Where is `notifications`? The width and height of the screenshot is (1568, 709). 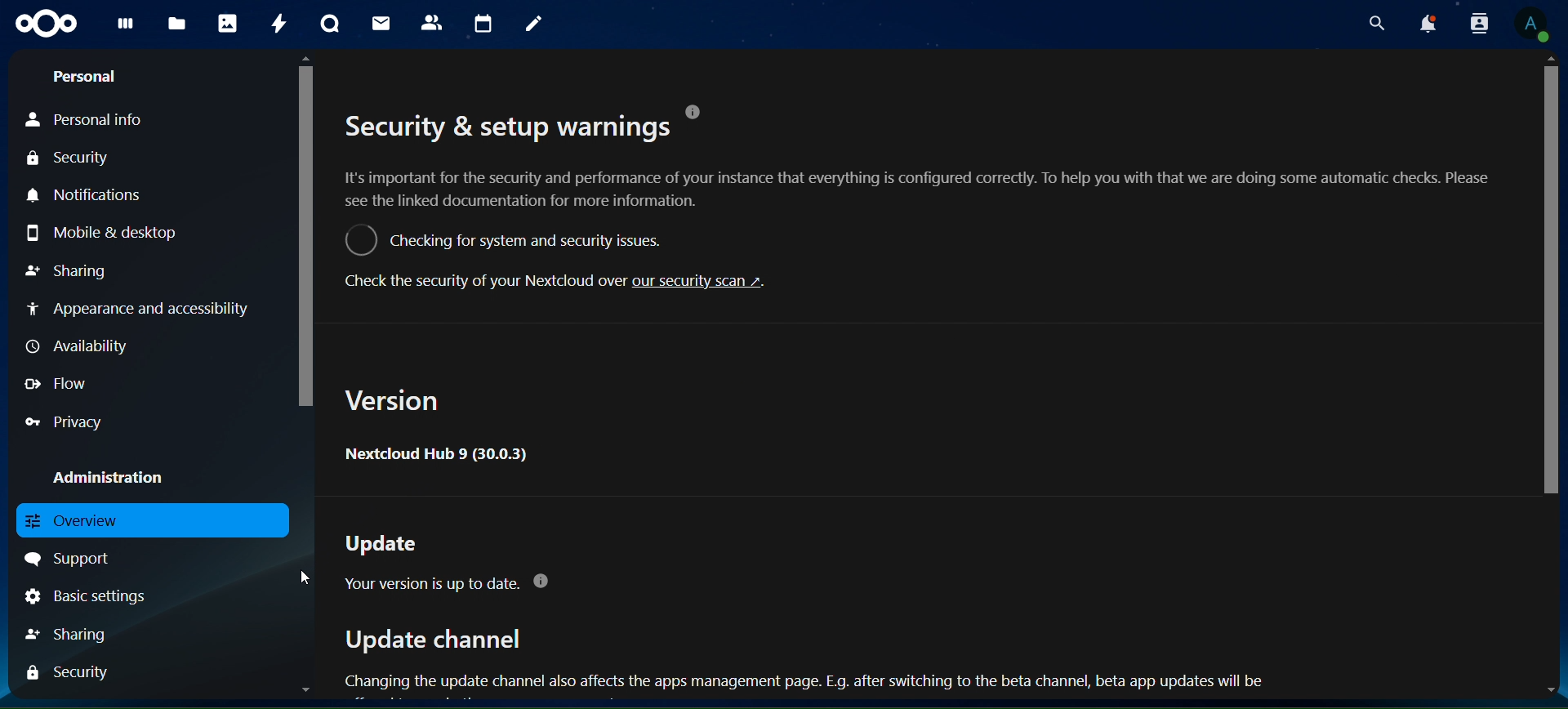
notifications is located at coordinates (84, 195).